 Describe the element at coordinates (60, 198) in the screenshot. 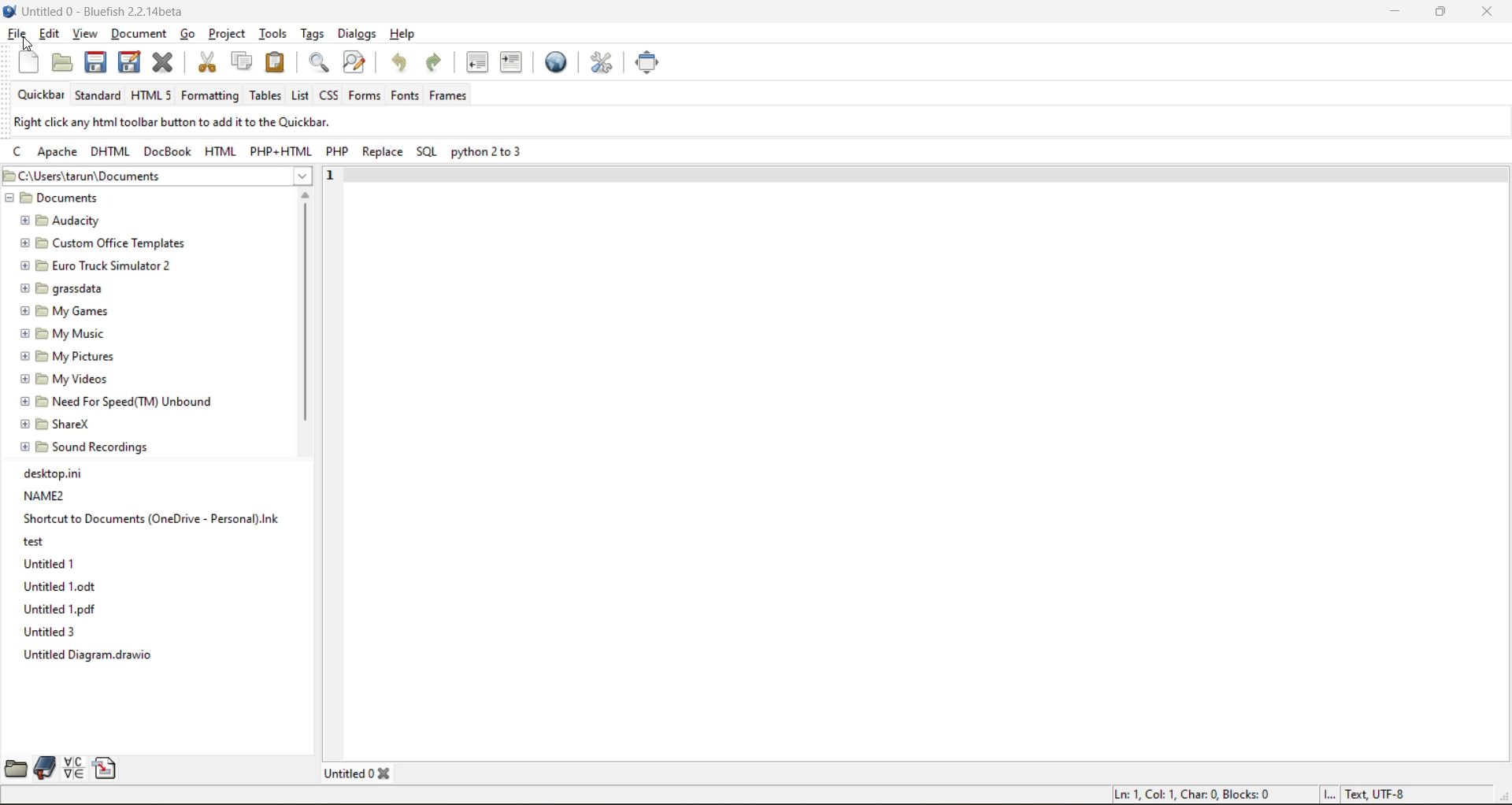

I see `Documents` at that location.